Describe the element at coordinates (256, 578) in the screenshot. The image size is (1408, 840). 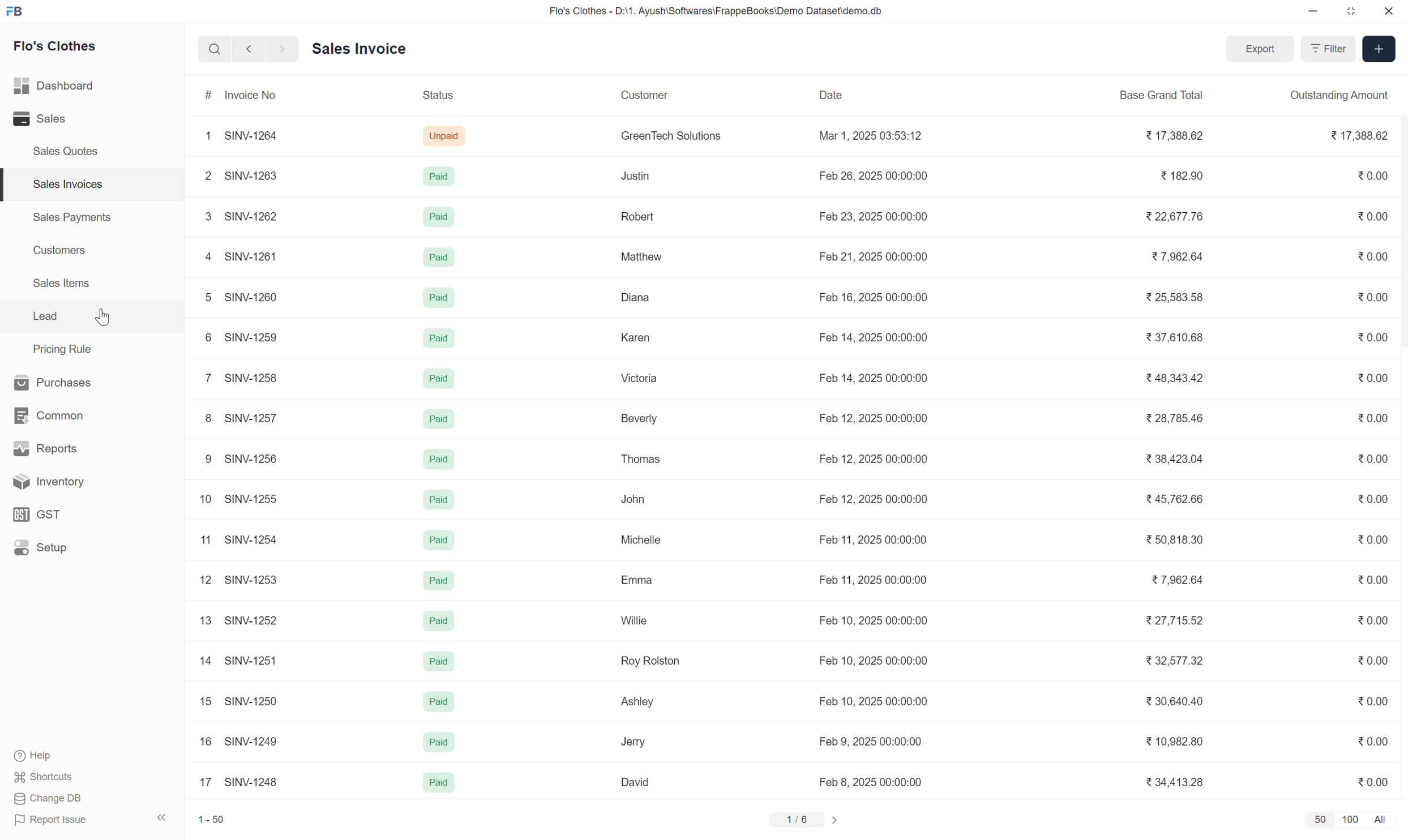
I see `SINV-1253` at that location.